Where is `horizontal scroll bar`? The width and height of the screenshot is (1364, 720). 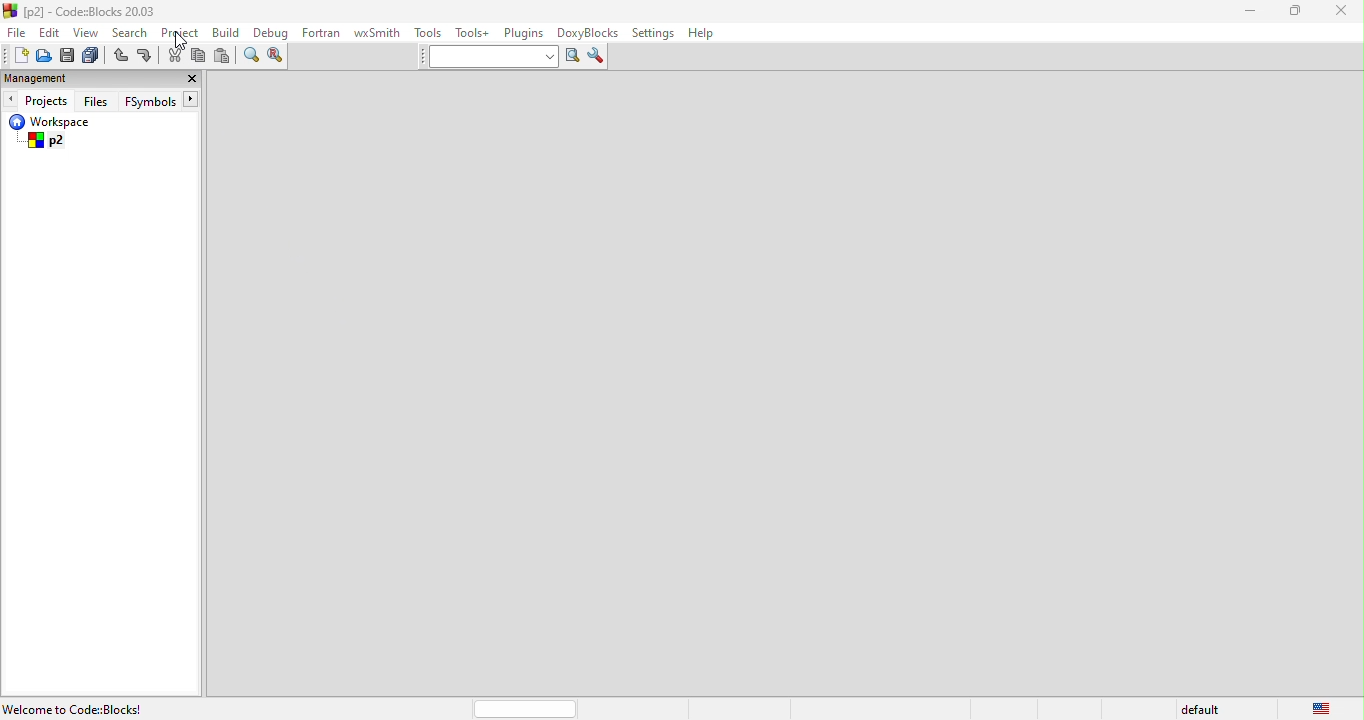
horizontal scroll bar is located at coordinates (528, 708).